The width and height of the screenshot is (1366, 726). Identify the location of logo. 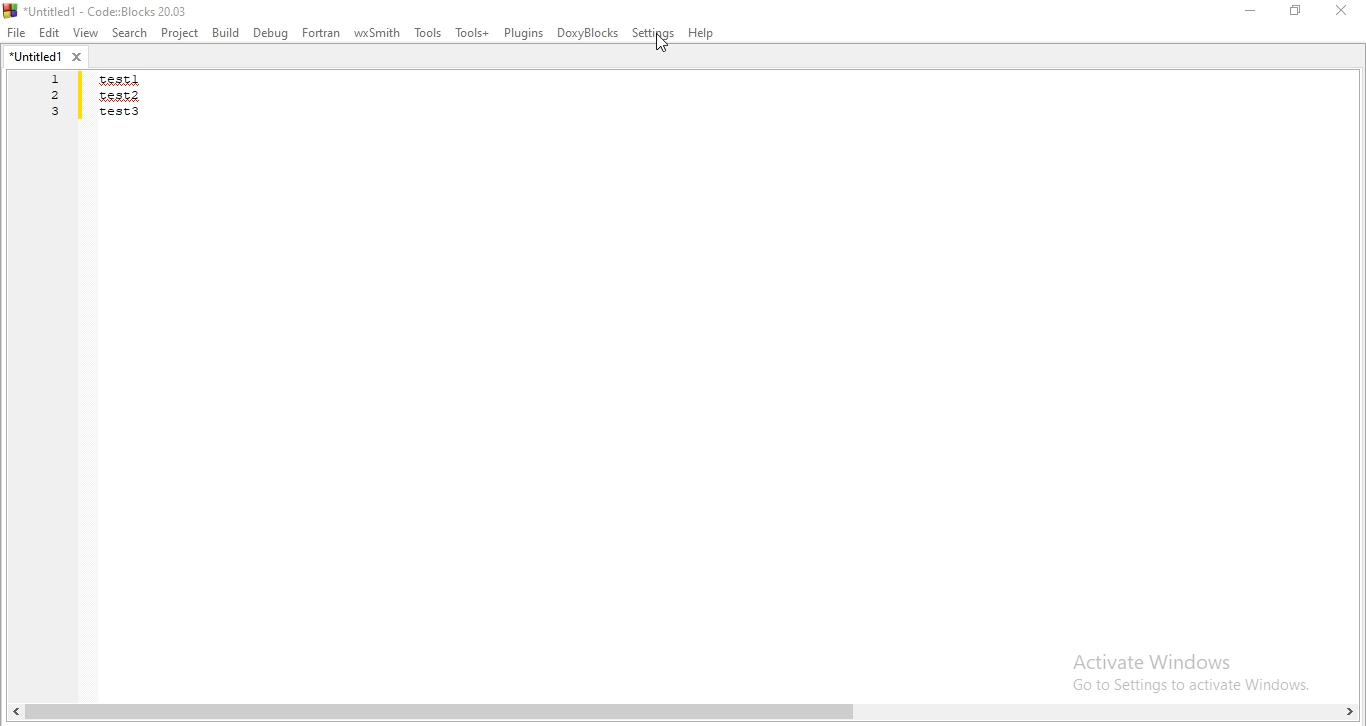
(102, 9).